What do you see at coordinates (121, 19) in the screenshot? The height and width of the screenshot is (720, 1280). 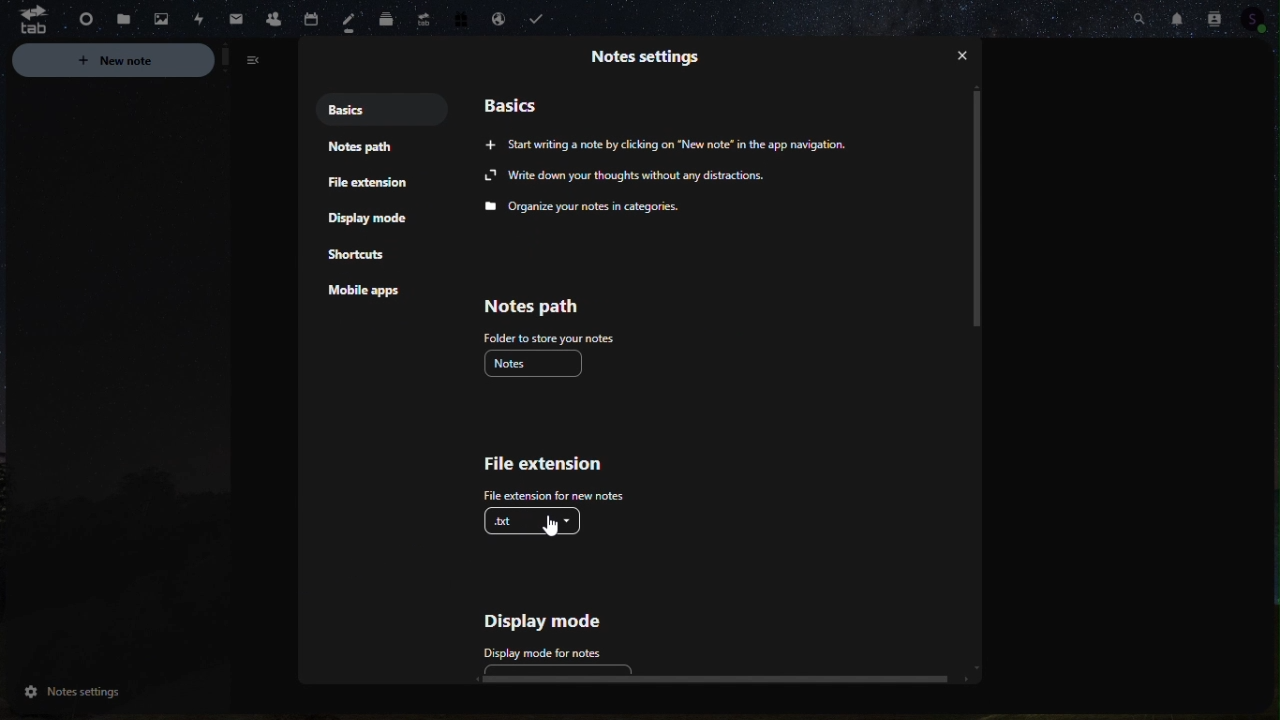 I see `Files` at bounding box center [121, 19].